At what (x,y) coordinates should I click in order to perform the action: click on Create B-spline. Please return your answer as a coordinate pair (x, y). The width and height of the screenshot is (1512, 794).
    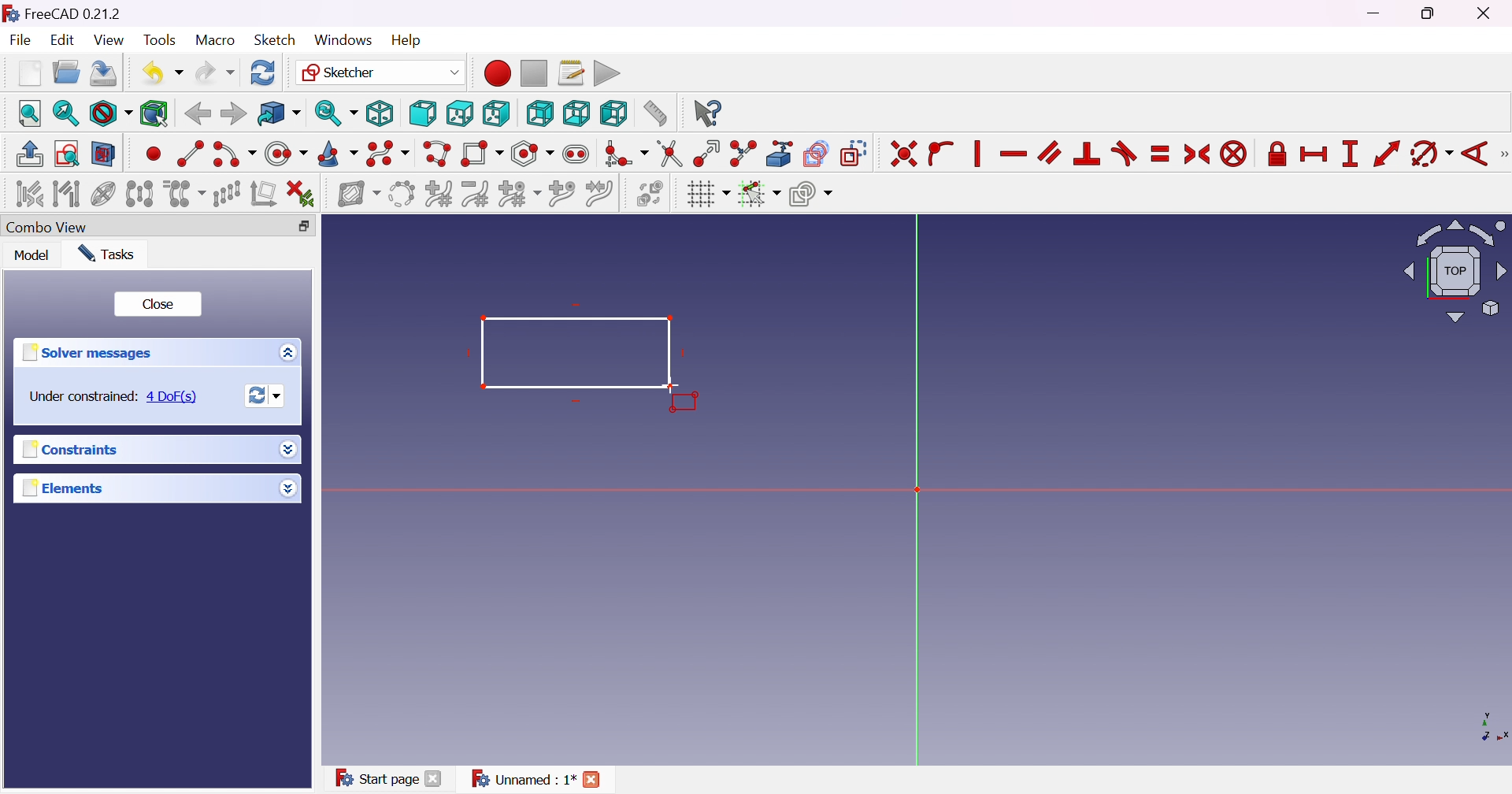
    Looking at the image, I should click on (387, 154).